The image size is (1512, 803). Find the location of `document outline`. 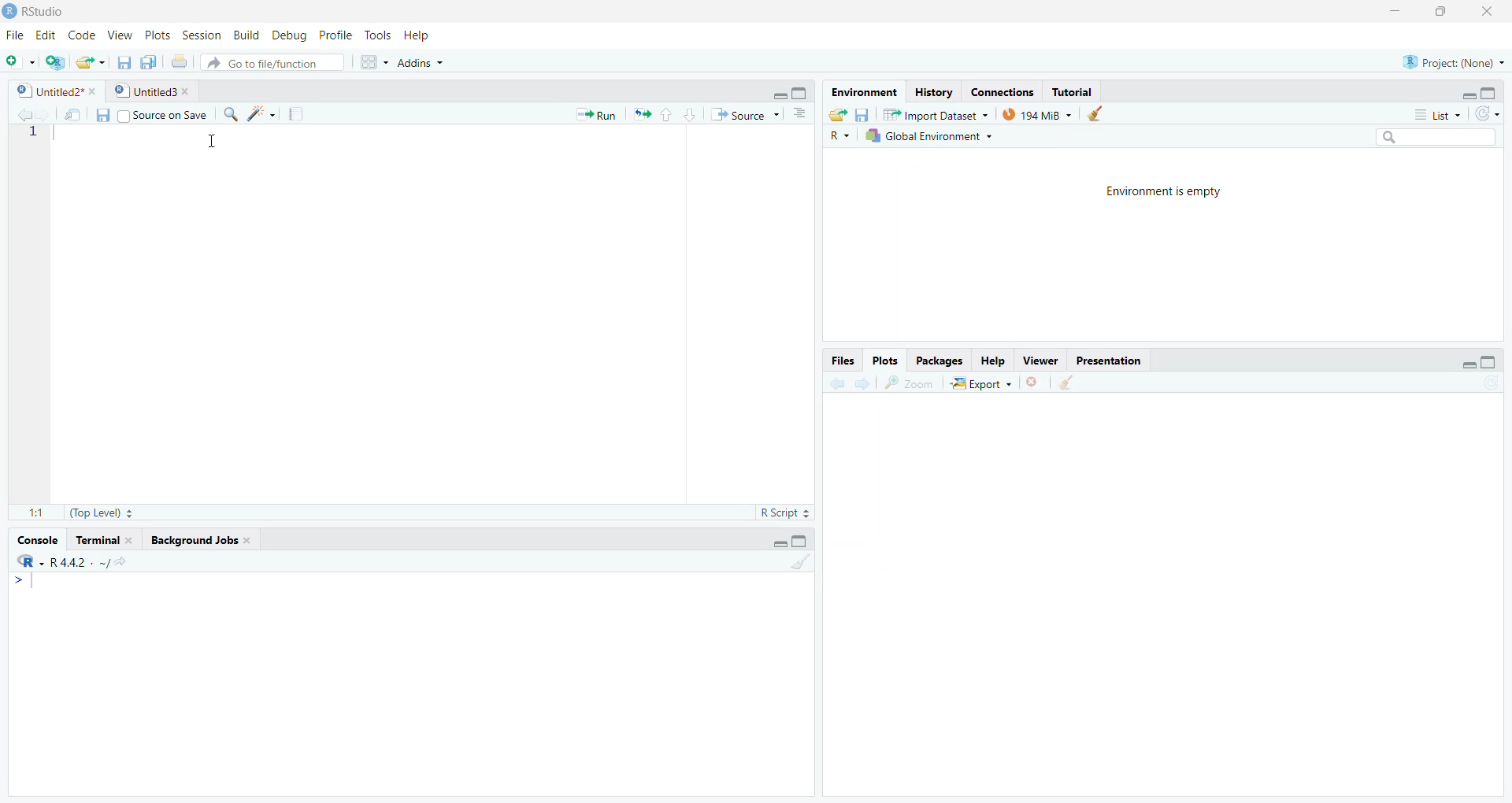

document outline is located at coordinates (801, 115).